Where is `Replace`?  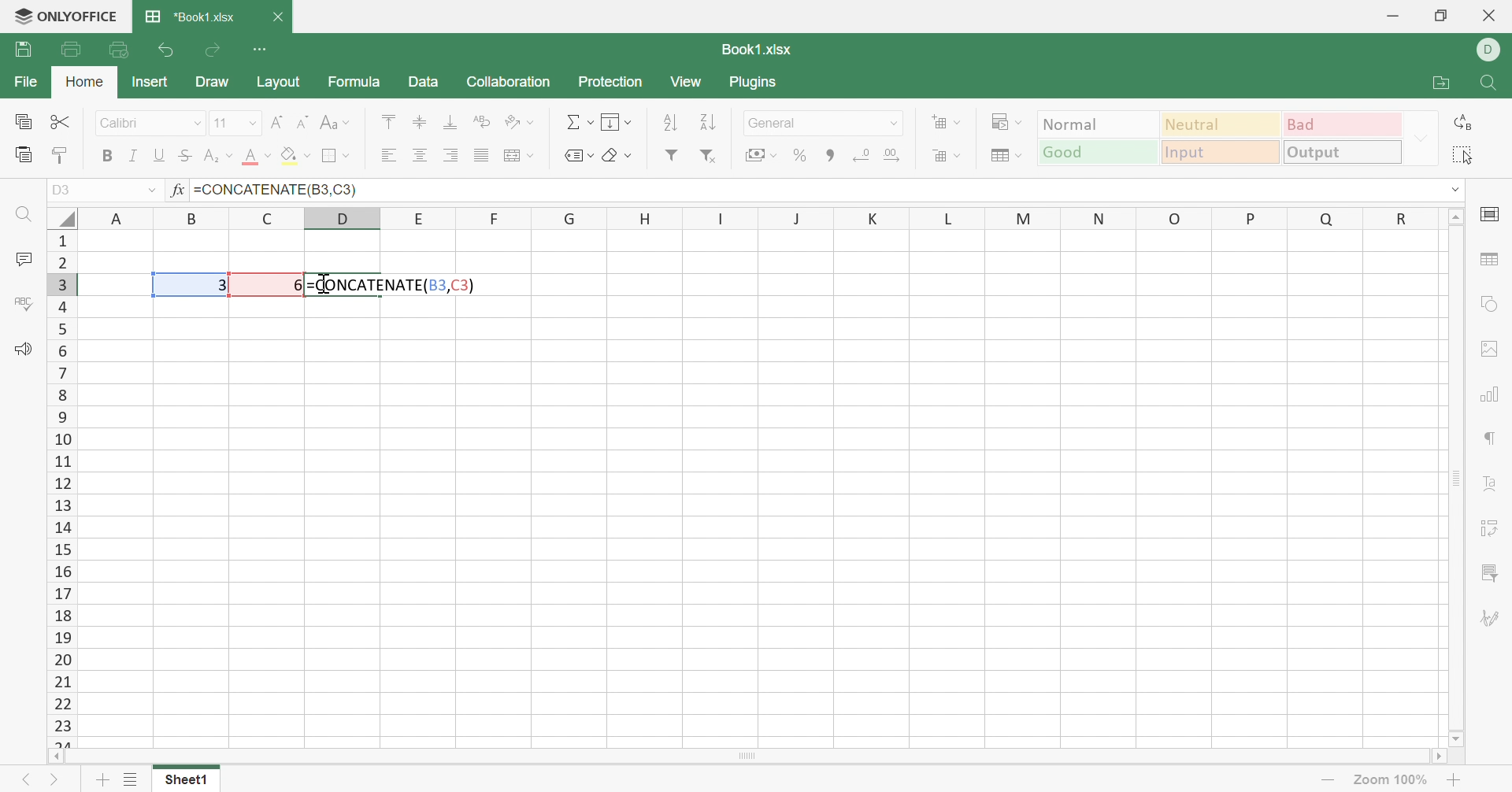 Replace is located at coordinates (1465, 120).